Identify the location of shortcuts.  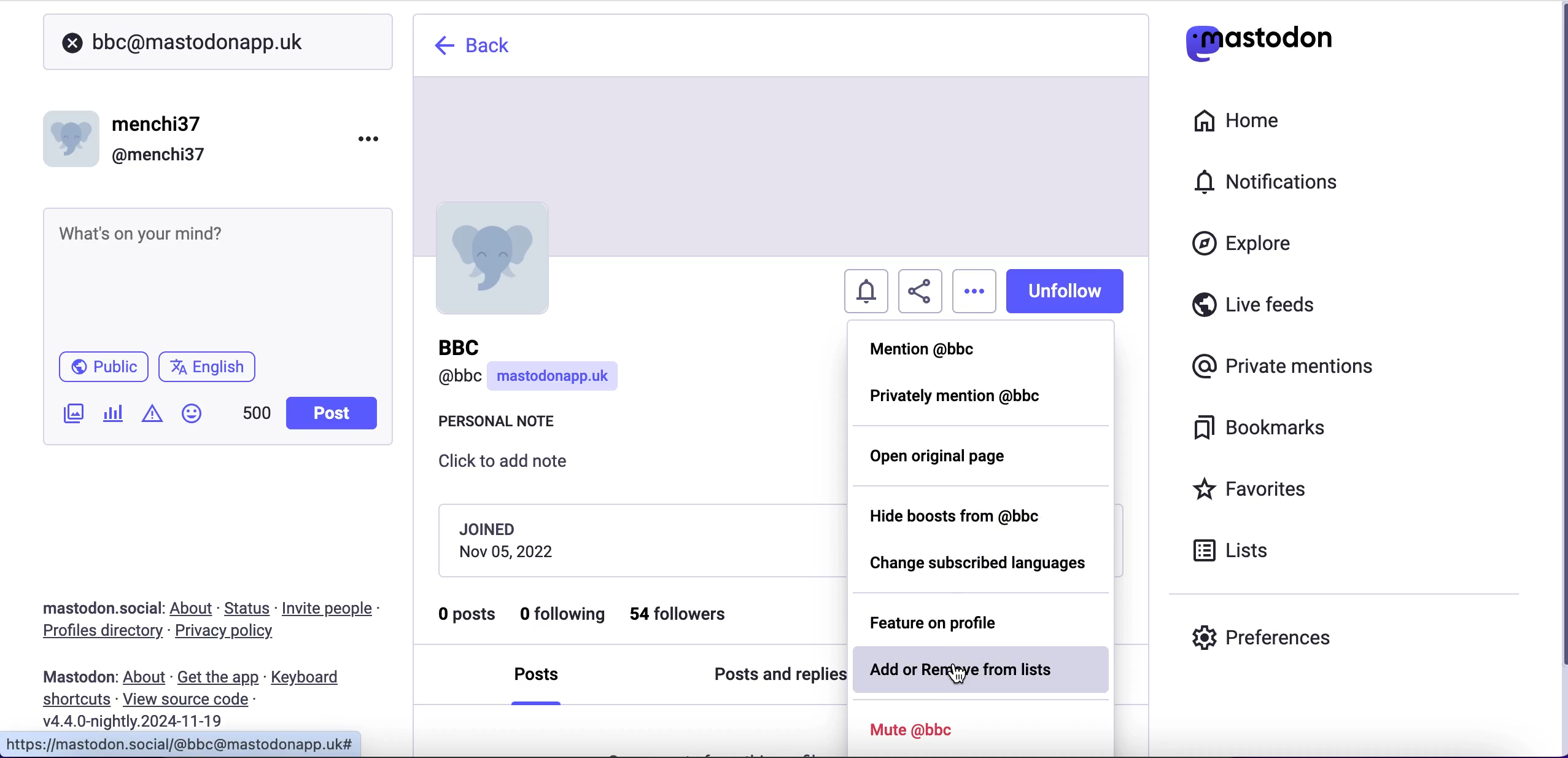
(72, 700).